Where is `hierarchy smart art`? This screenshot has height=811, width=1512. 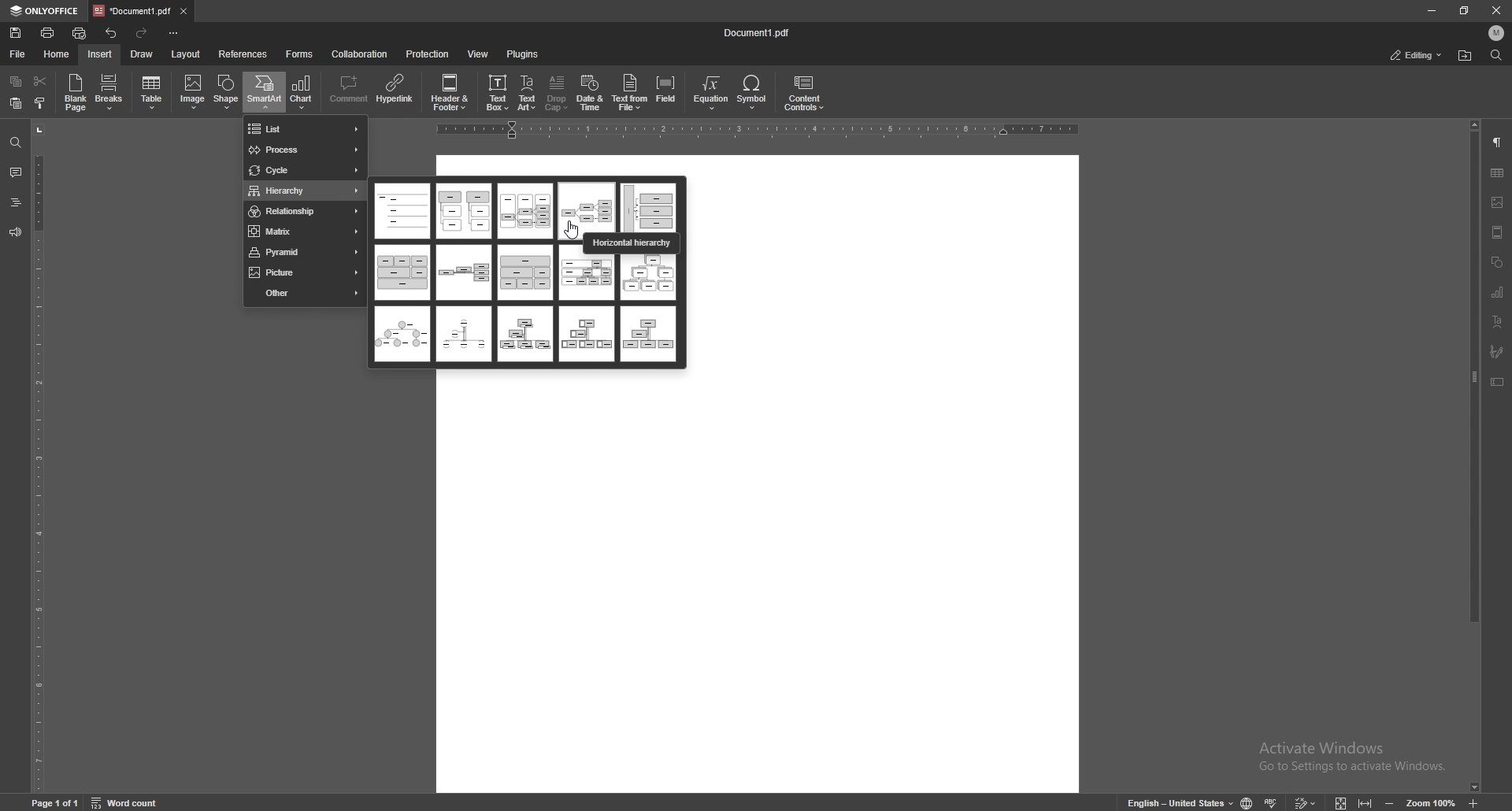 hierarchy smart art is located at coordinates (401, 272).